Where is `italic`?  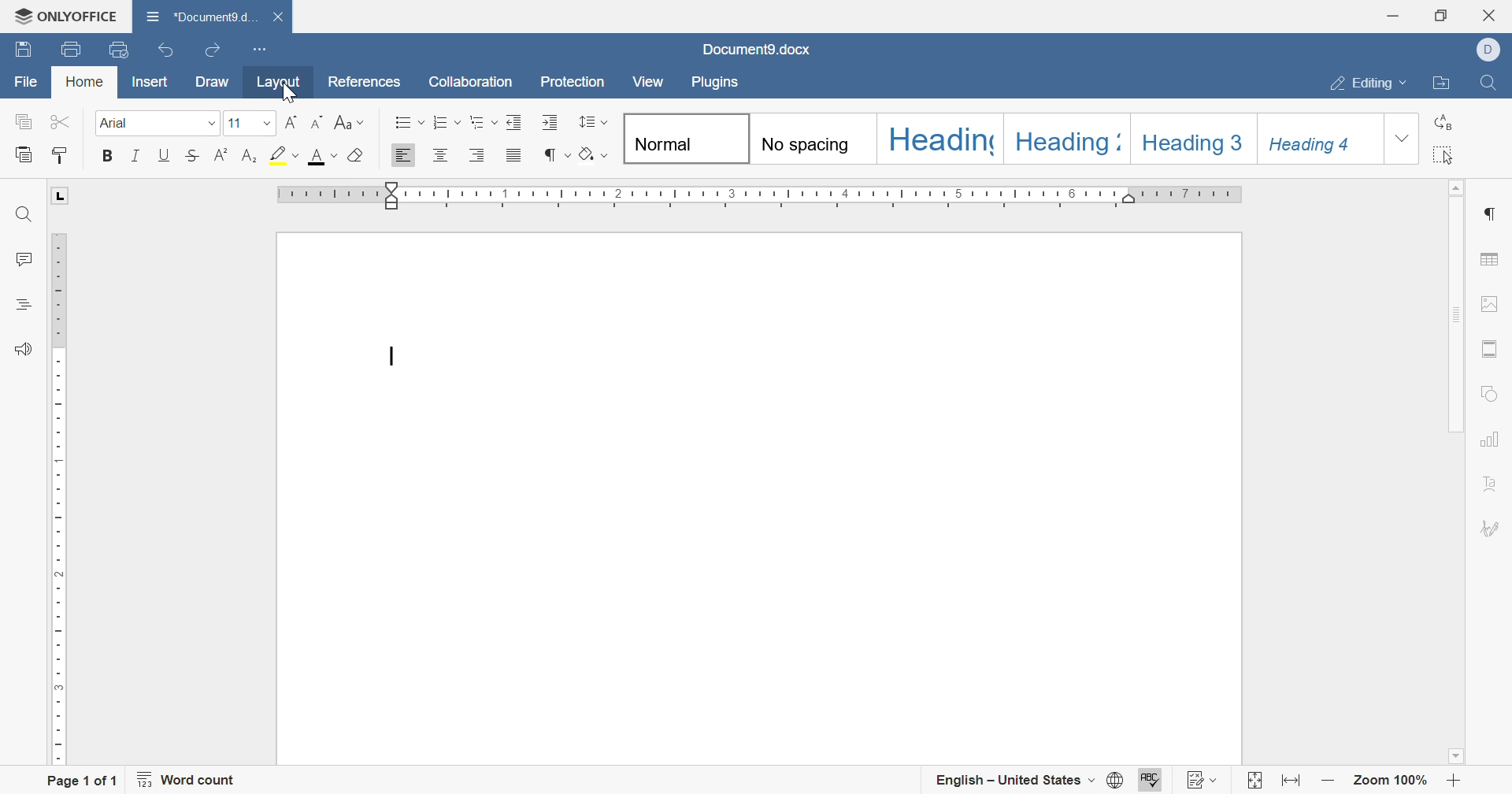
italic is located at coordinates (140, 155).